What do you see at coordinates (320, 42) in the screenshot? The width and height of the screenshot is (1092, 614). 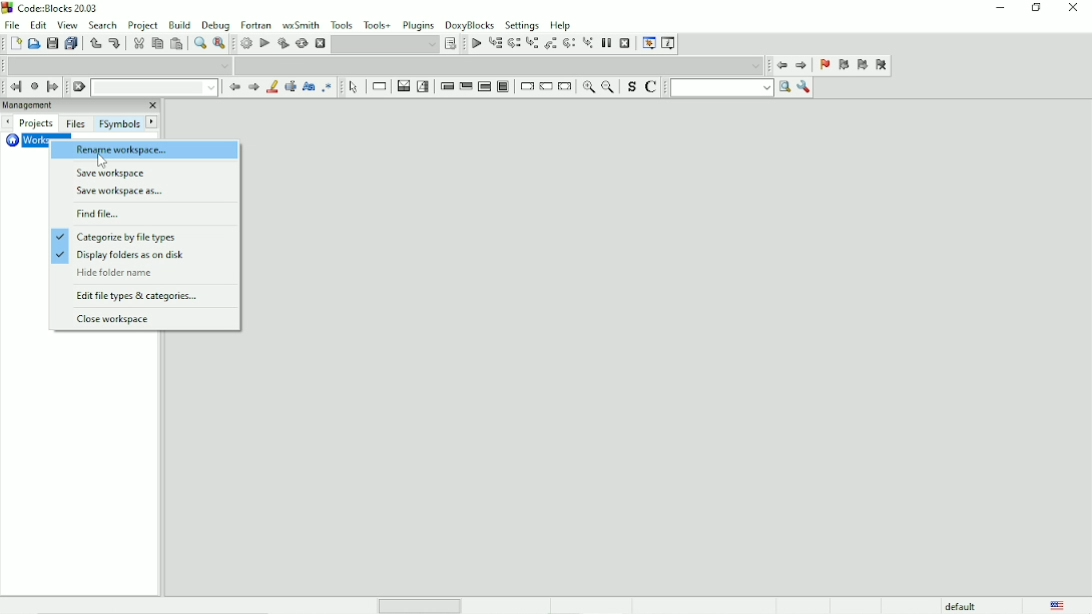 I see `Abort` at bounding box center [320, 42].